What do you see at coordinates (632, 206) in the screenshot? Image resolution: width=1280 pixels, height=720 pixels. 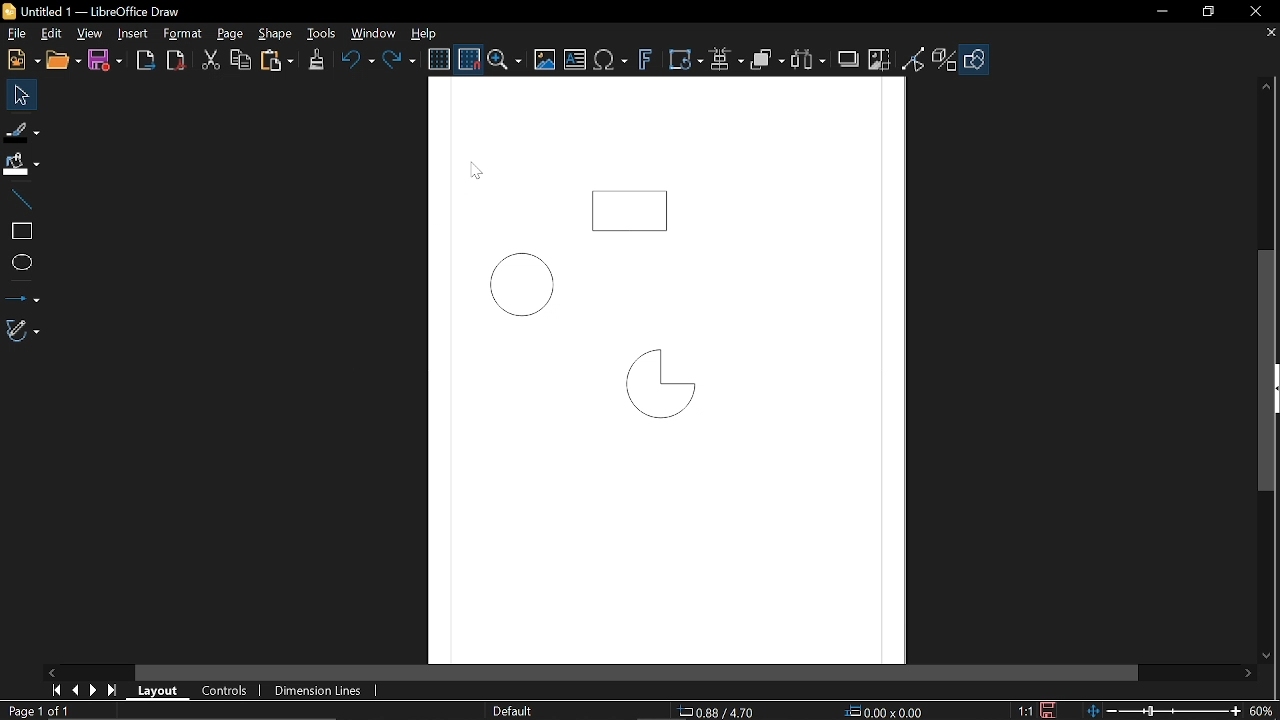 I see `Rectangle` at bounding box center [632, 206].